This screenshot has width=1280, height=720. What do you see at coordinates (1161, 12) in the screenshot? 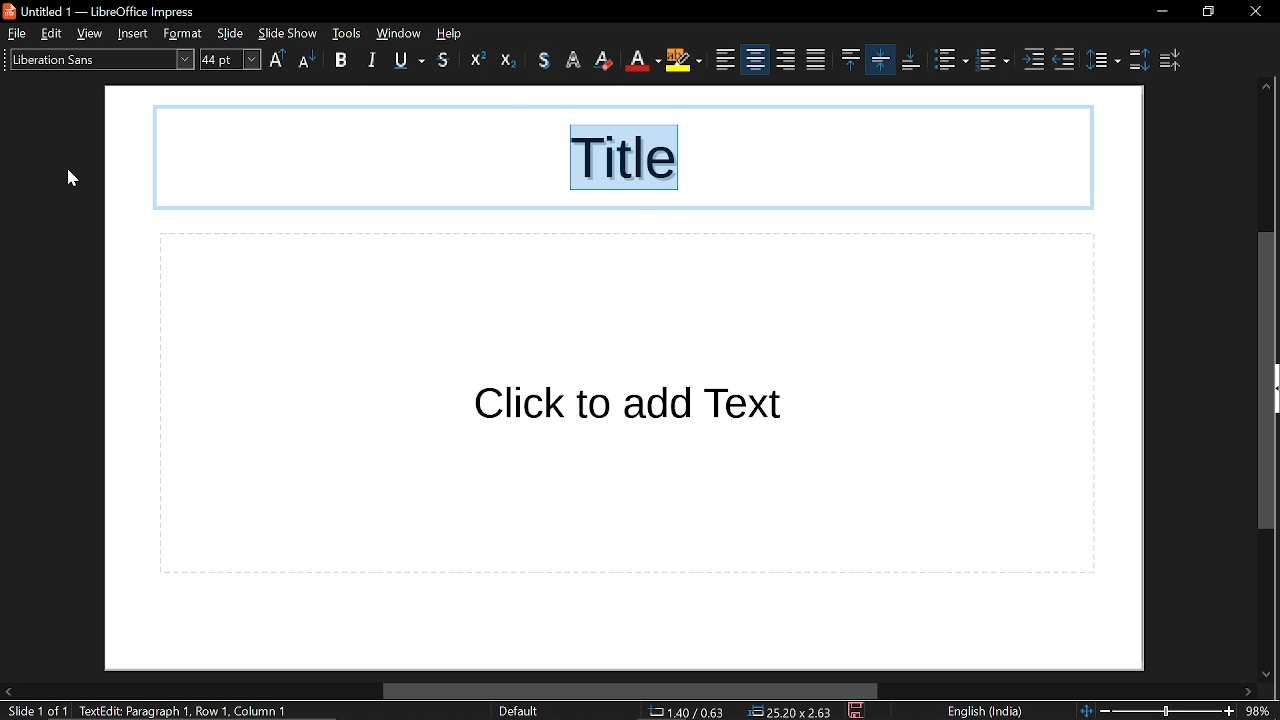
I see `minimize` at bounding box center [1161, 12].